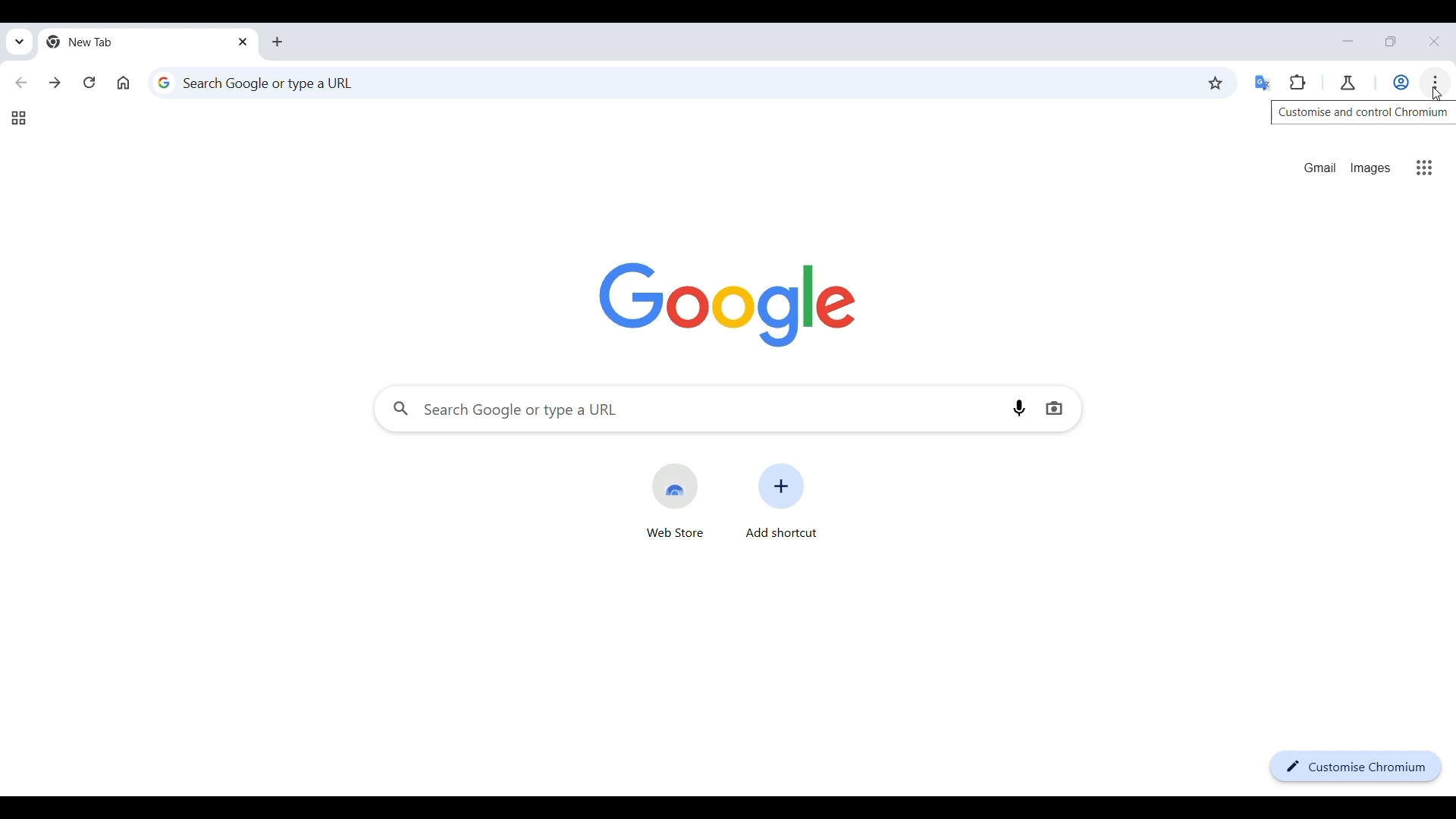  I want to click on Current open tab, so click(149, 42).